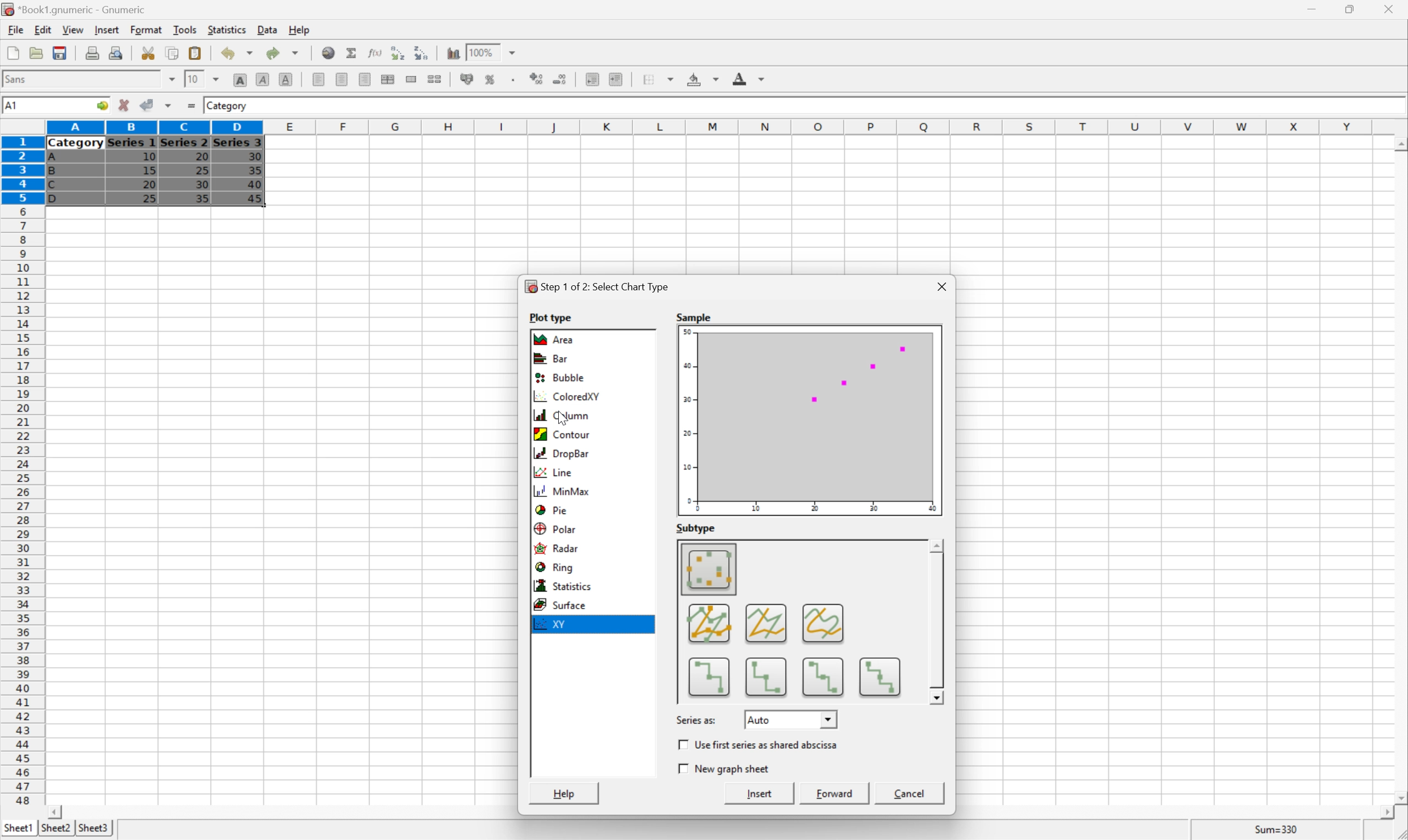  I want to click on Sheet1, so click(18, 829).